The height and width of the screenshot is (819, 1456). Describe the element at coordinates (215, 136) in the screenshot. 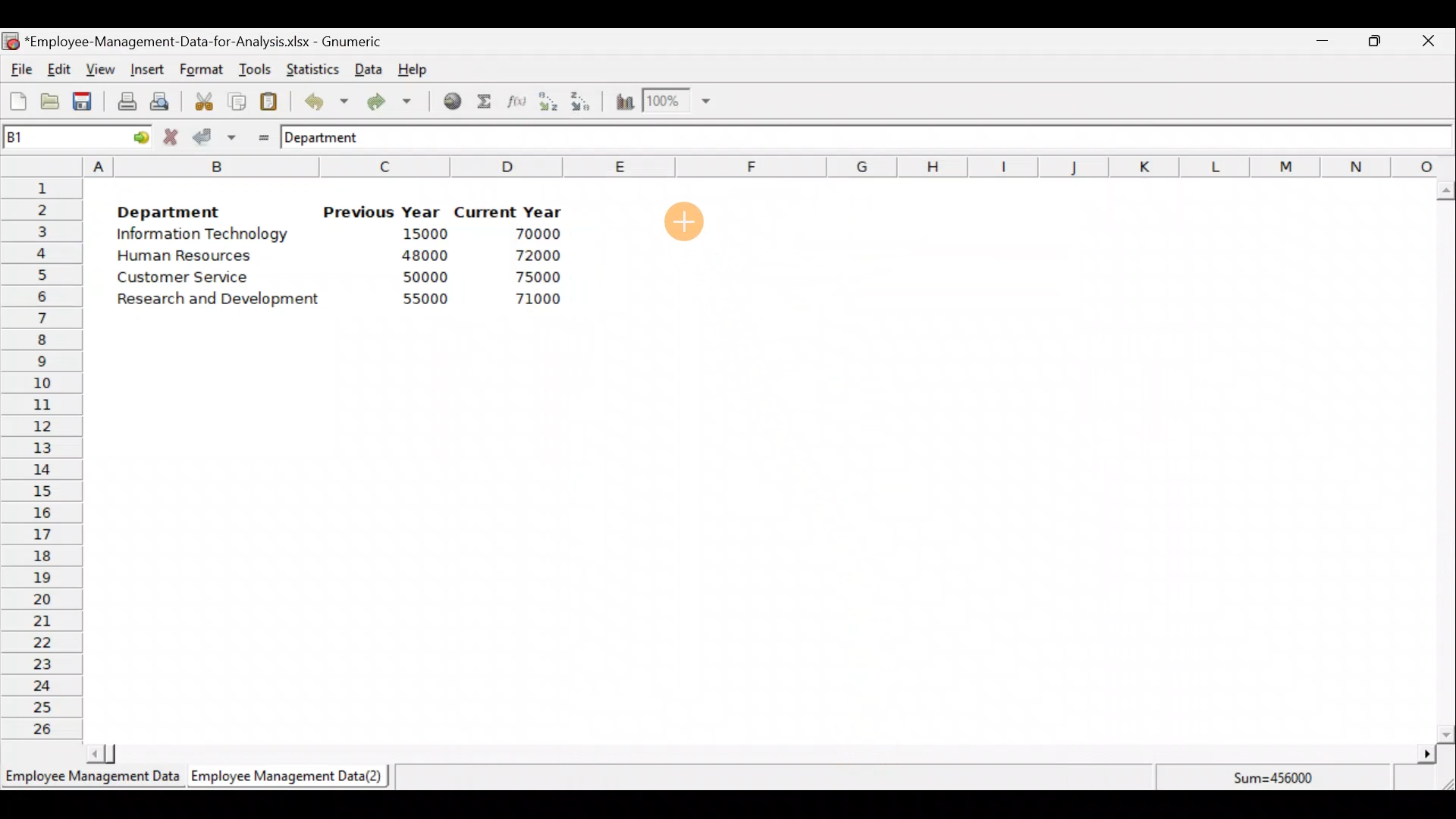

I see `Accept change` at that location.